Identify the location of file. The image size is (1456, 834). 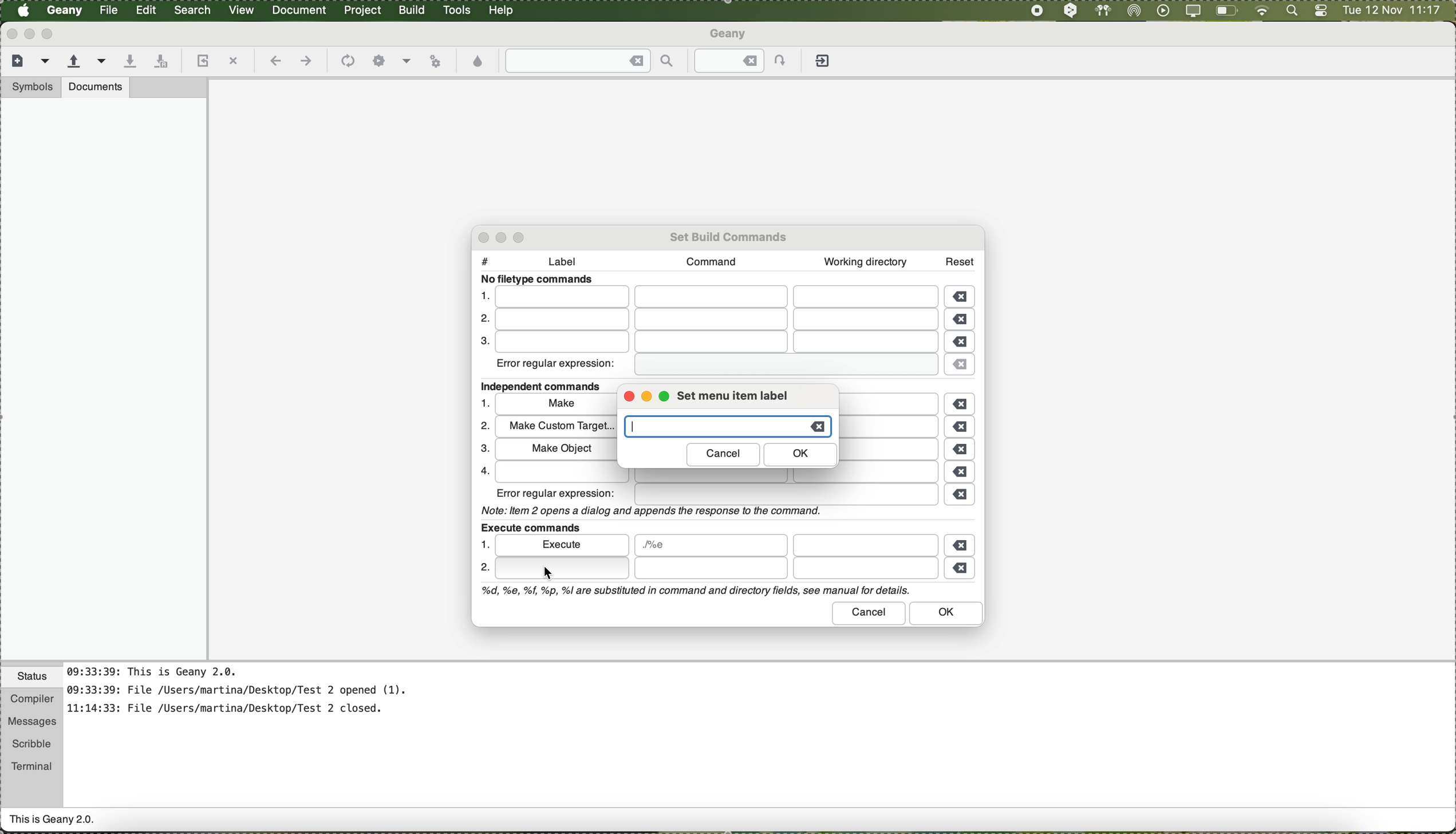
(865, 545).